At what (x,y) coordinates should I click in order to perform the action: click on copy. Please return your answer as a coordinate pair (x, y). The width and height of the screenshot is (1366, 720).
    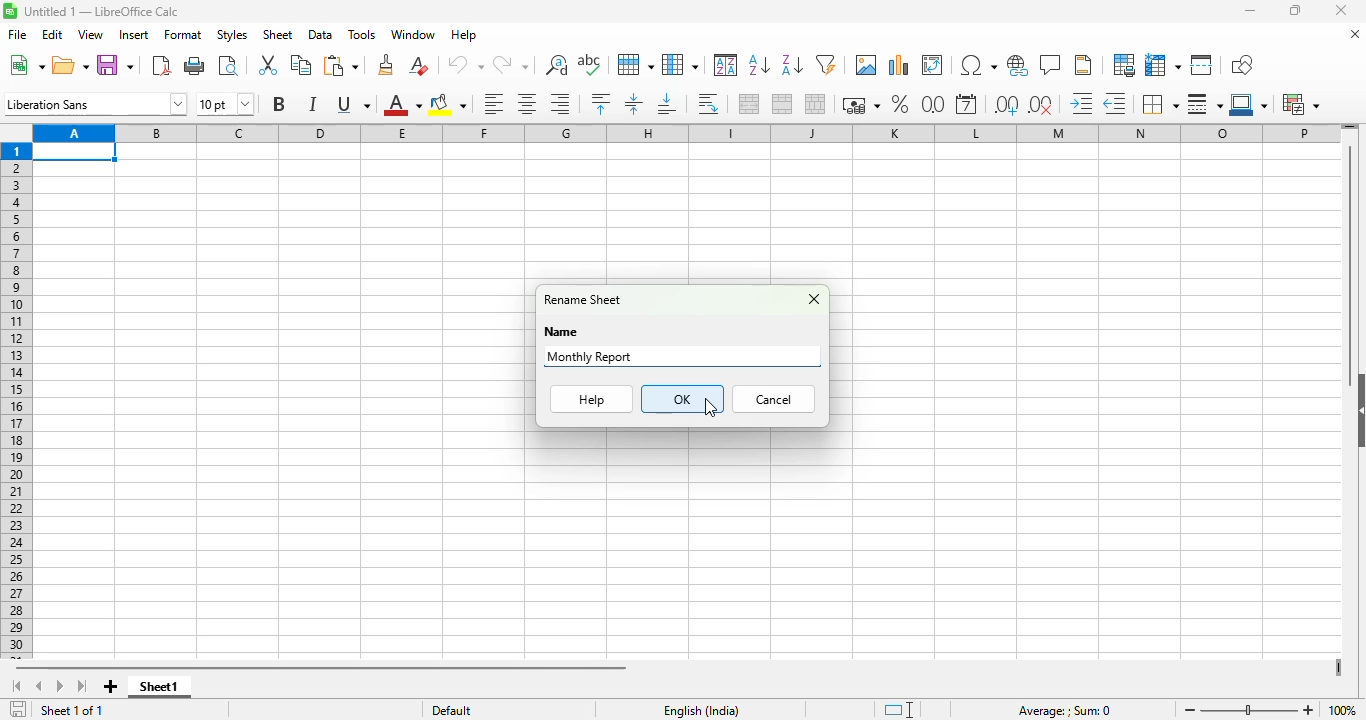
    Looking at the image, I should click on (301, 63).